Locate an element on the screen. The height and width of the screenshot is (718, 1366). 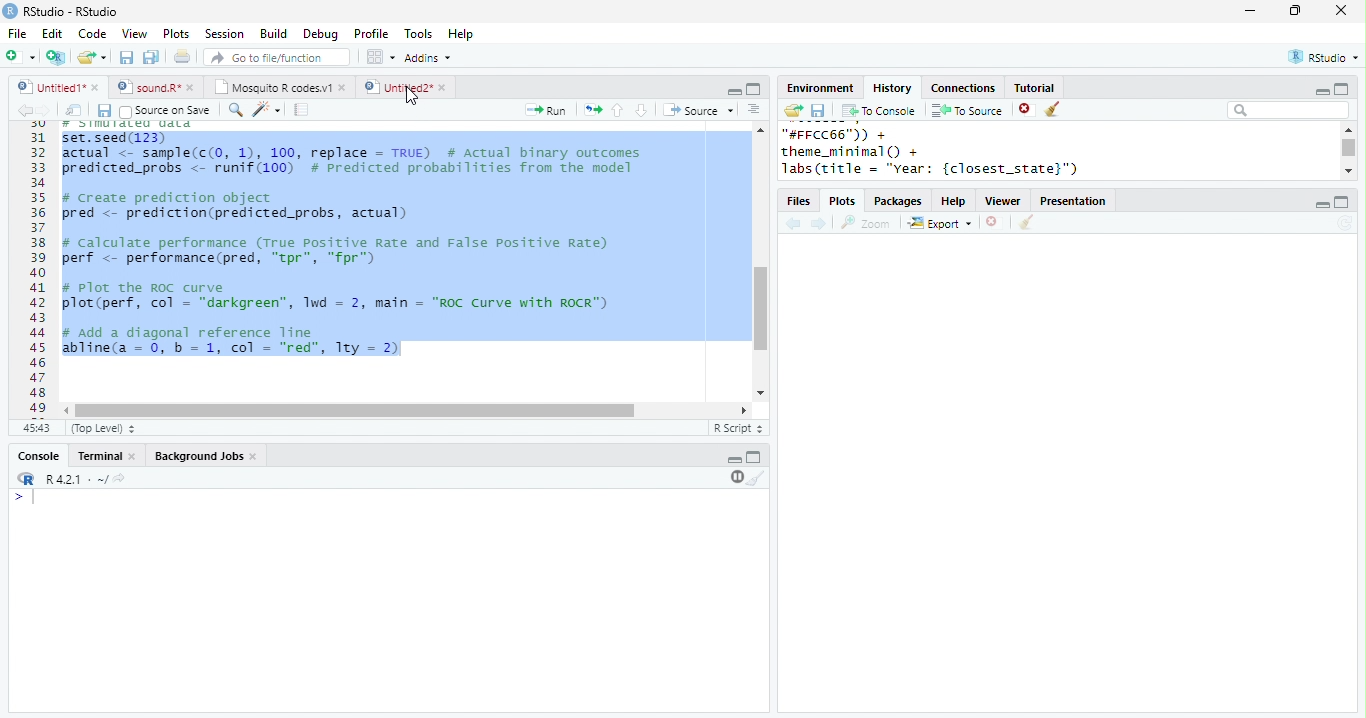
# calculate performance (True Positive Rate and False Positive Rate)
perf <- performance(pred, “tpr", “fpr") is located at coordinates (334, 251).